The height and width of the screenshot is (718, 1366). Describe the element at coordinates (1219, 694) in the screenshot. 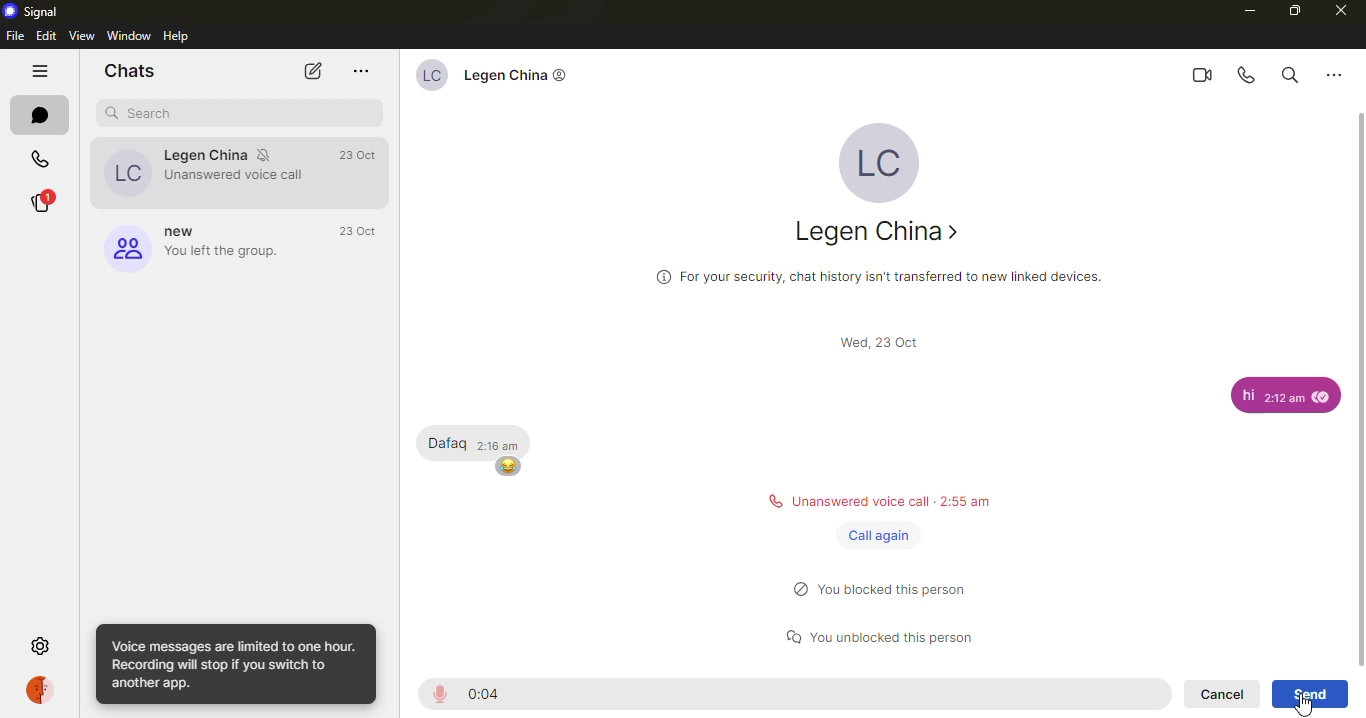

I see `cancel` at that location.